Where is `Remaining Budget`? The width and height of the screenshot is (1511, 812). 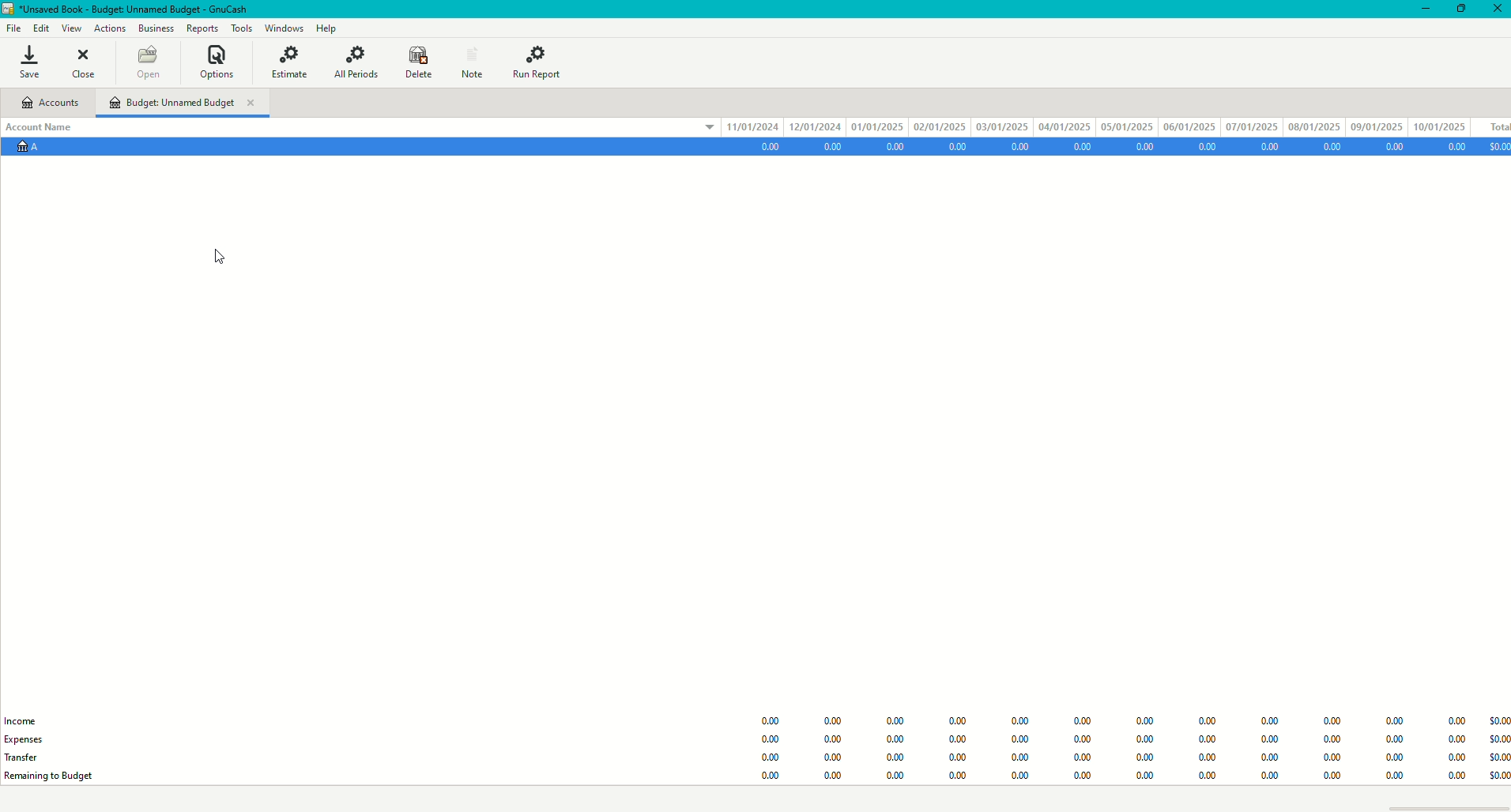
Remaining Budget is located at coordinates (58, 776).